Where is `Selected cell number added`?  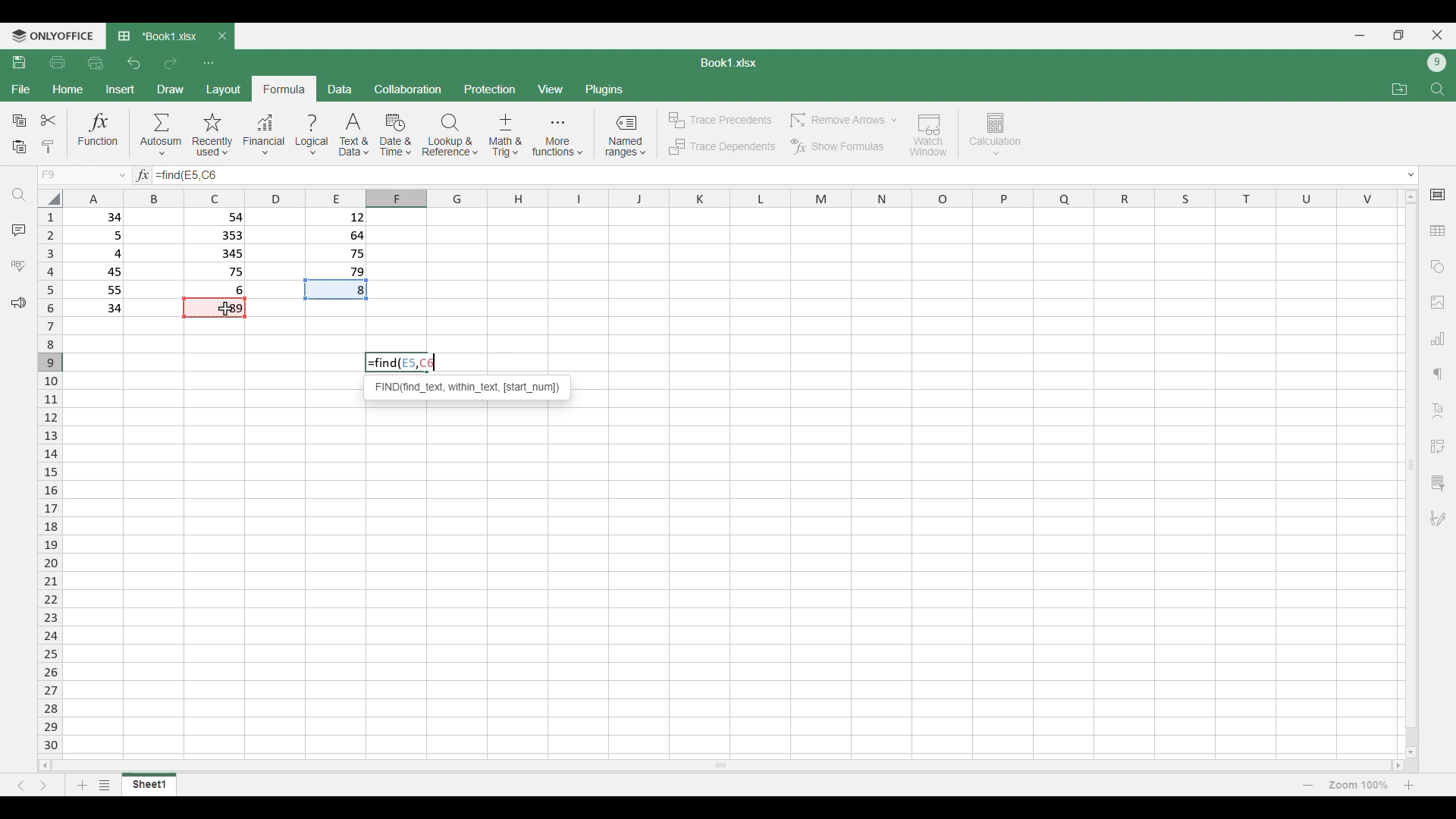 Selected cell number added is located at coordinates (191, 174).